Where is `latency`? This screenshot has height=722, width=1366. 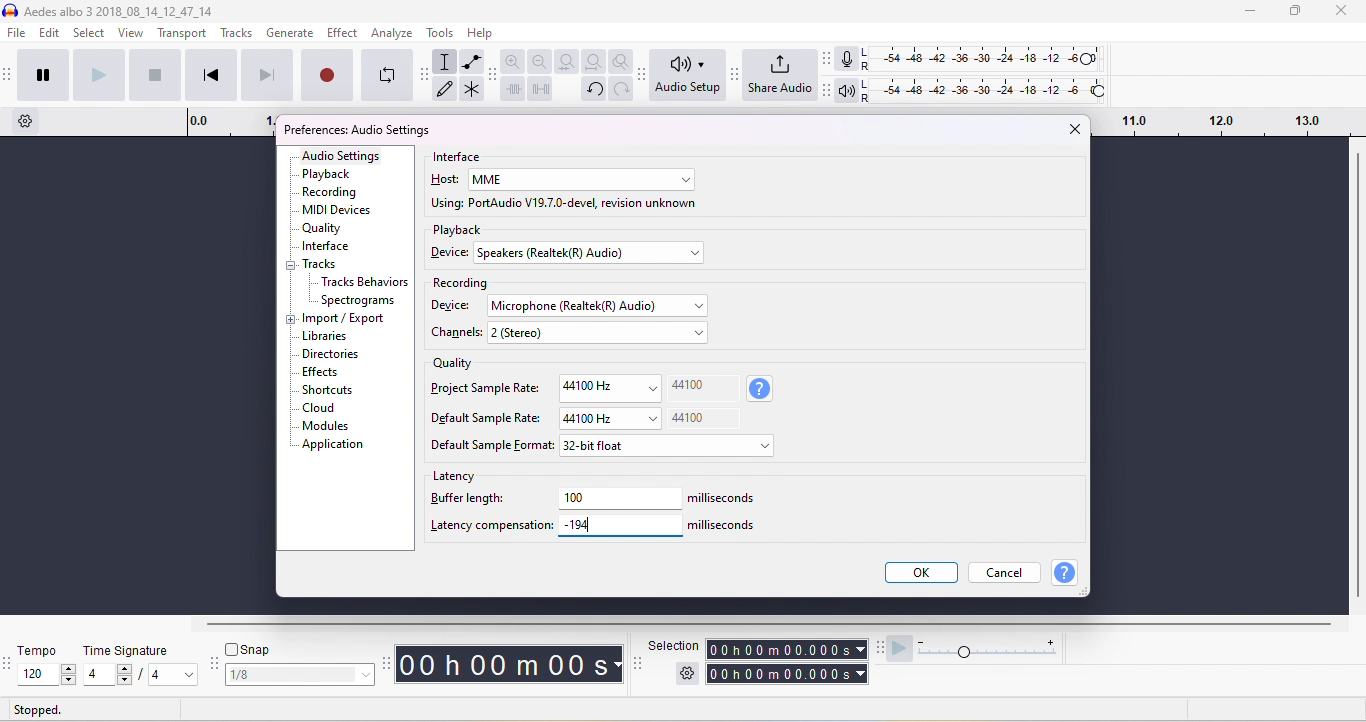 latency is located at coordinates (457, 475).